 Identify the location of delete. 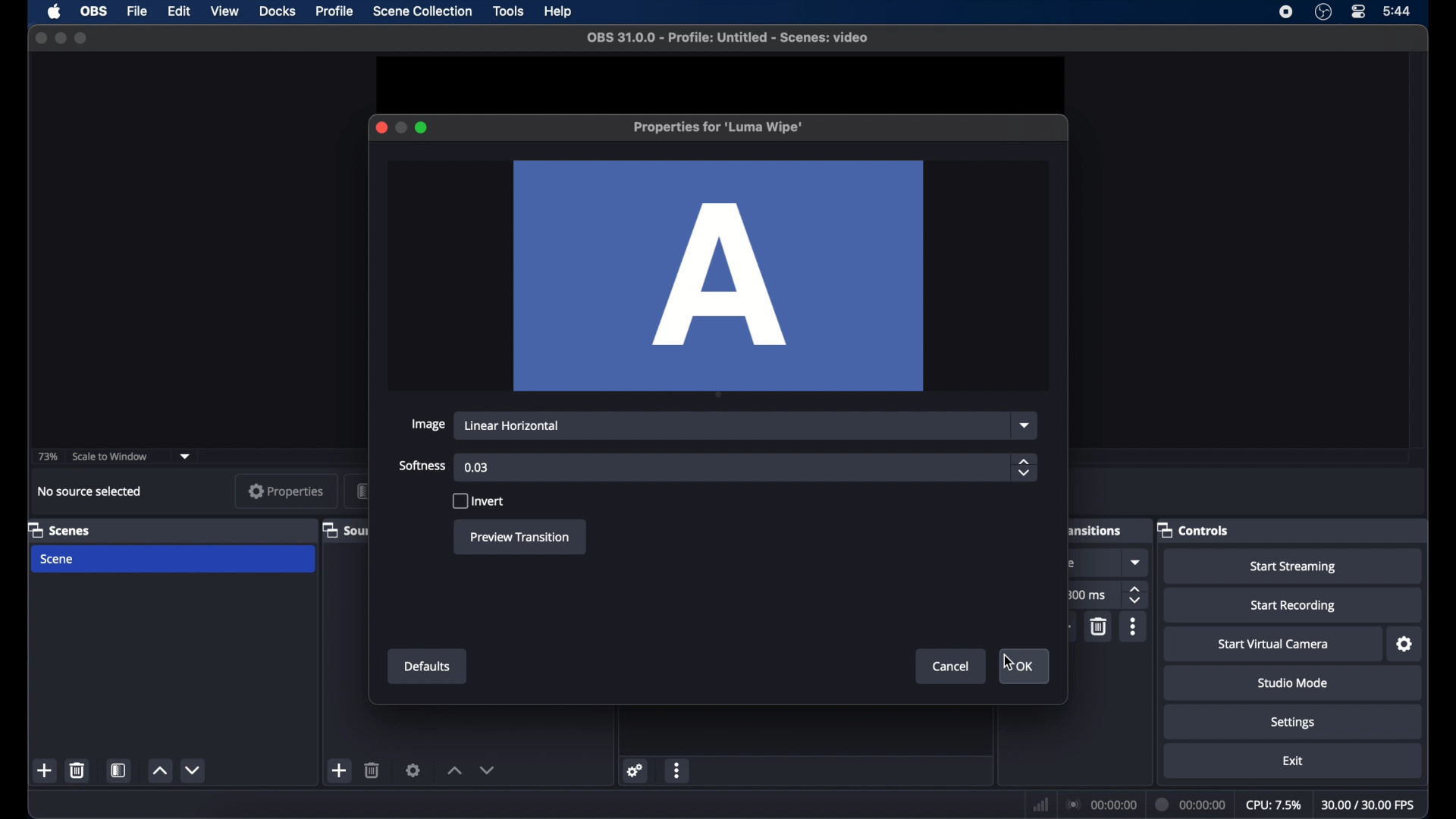
(372, 770).